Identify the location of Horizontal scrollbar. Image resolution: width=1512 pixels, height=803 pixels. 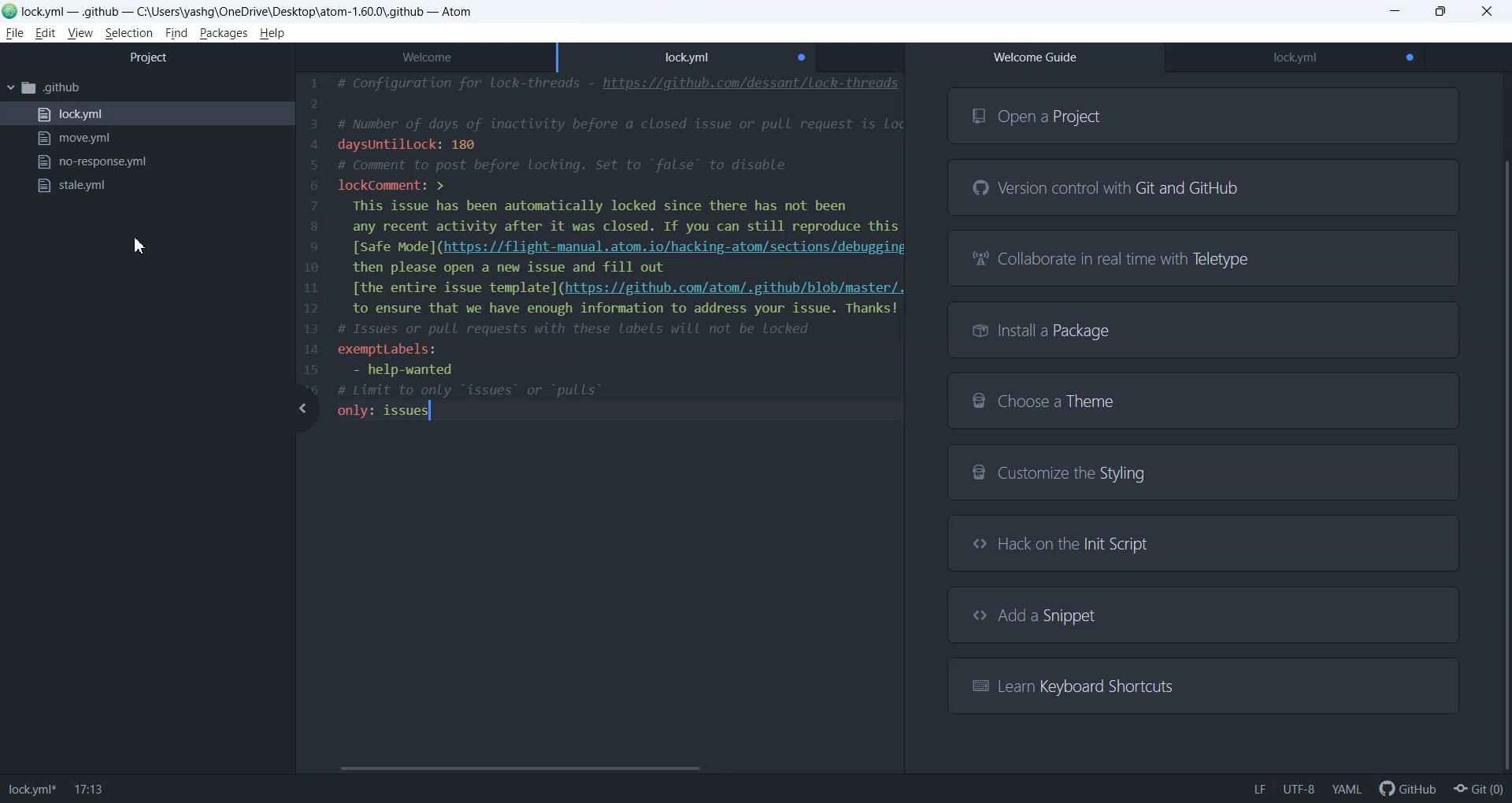
(596, 768).